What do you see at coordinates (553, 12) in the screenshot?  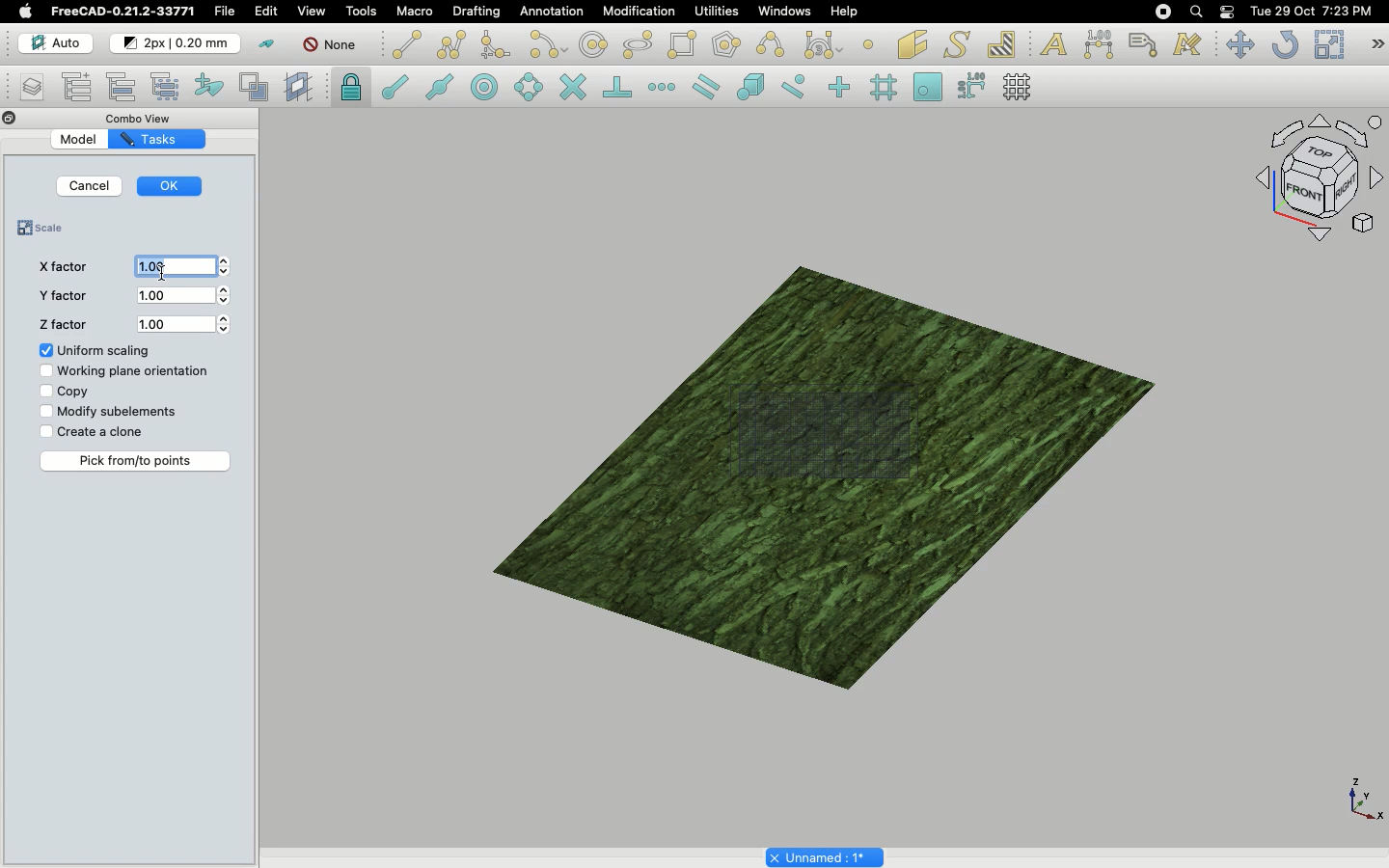 I see `Annotation` at bounding box center [553, 12].